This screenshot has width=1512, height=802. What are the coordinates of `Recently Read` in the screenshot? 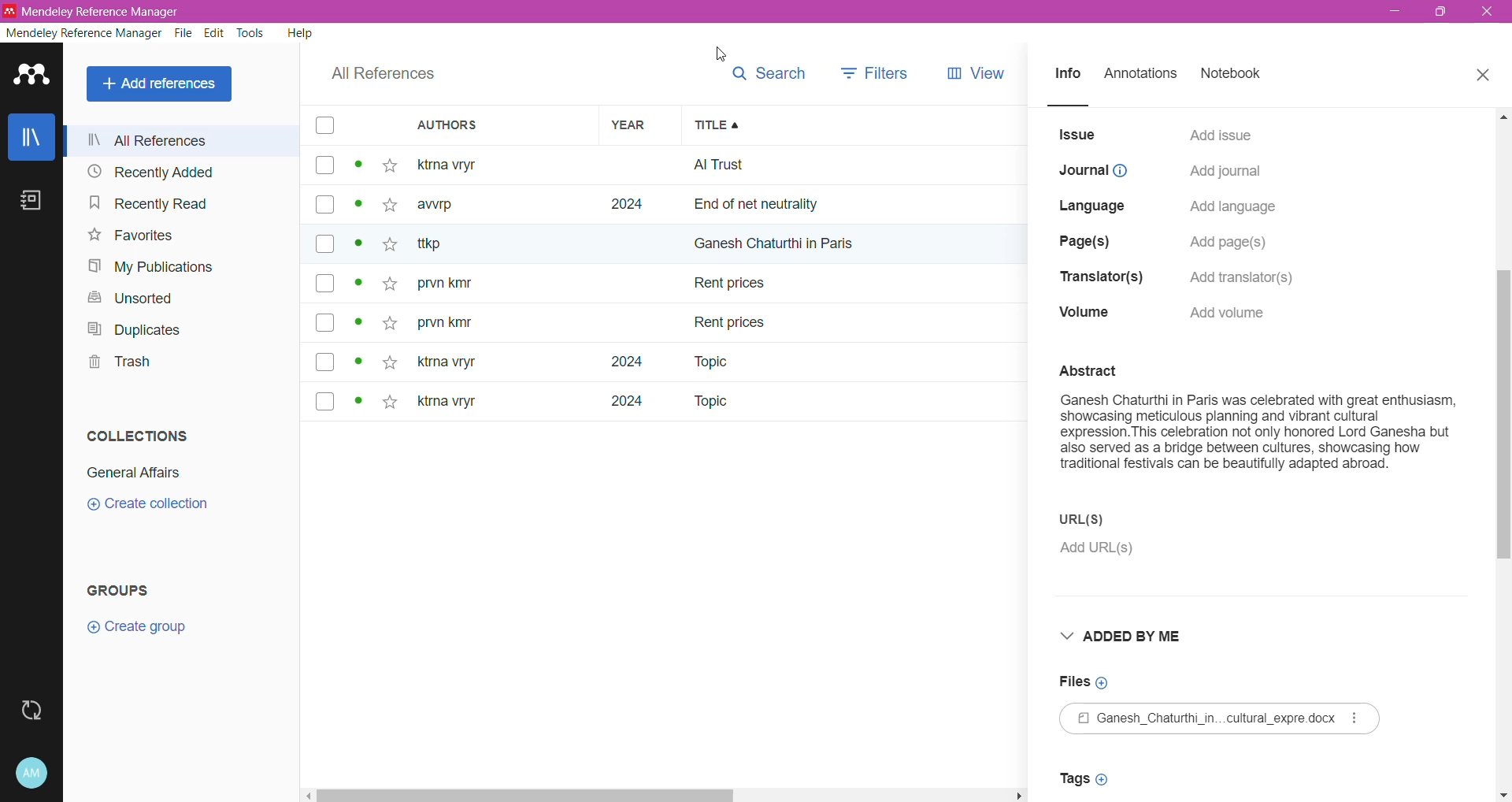 It's located at (149, 204).